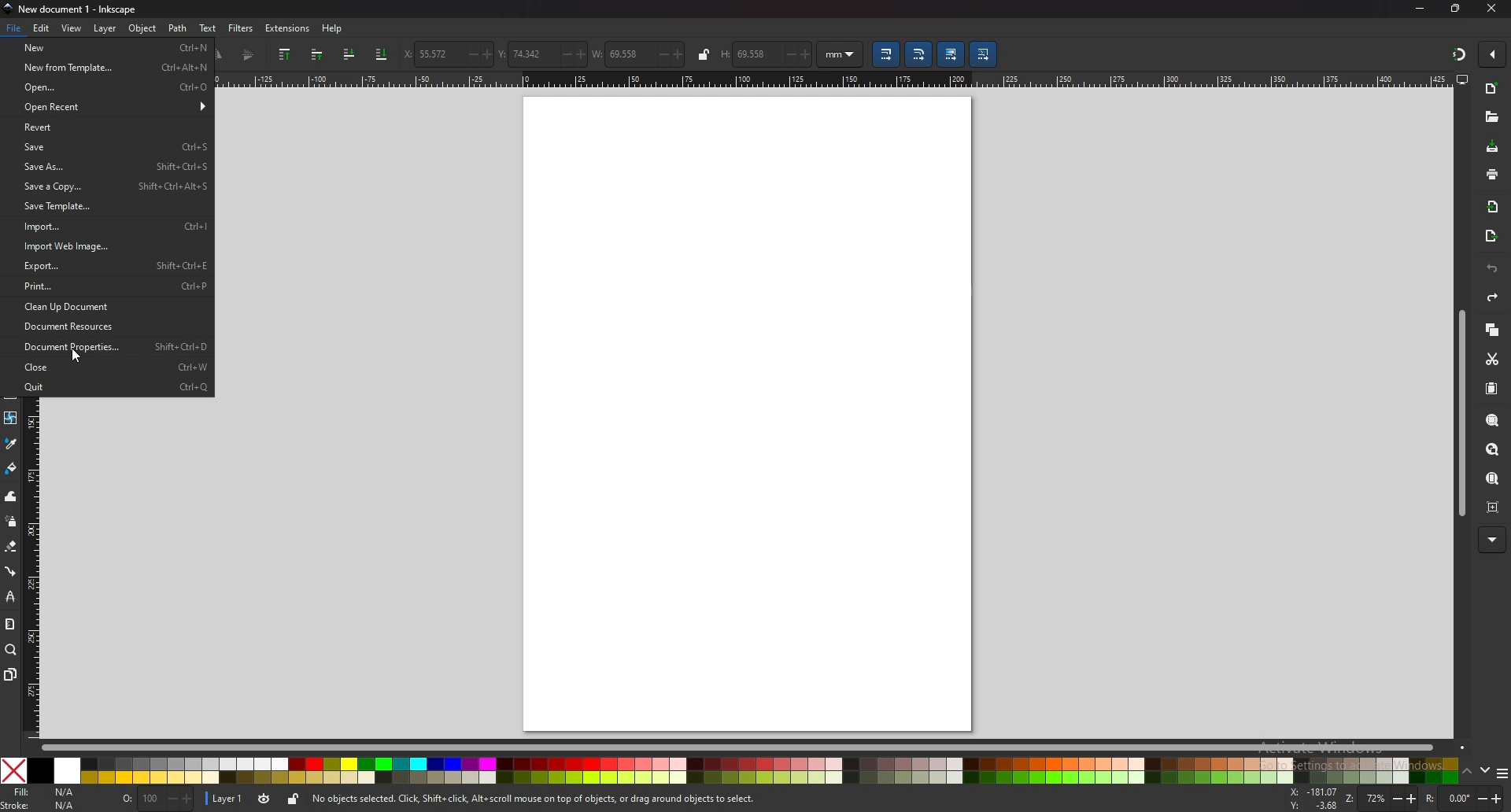  I want to click on dropper, so click(12, 443).